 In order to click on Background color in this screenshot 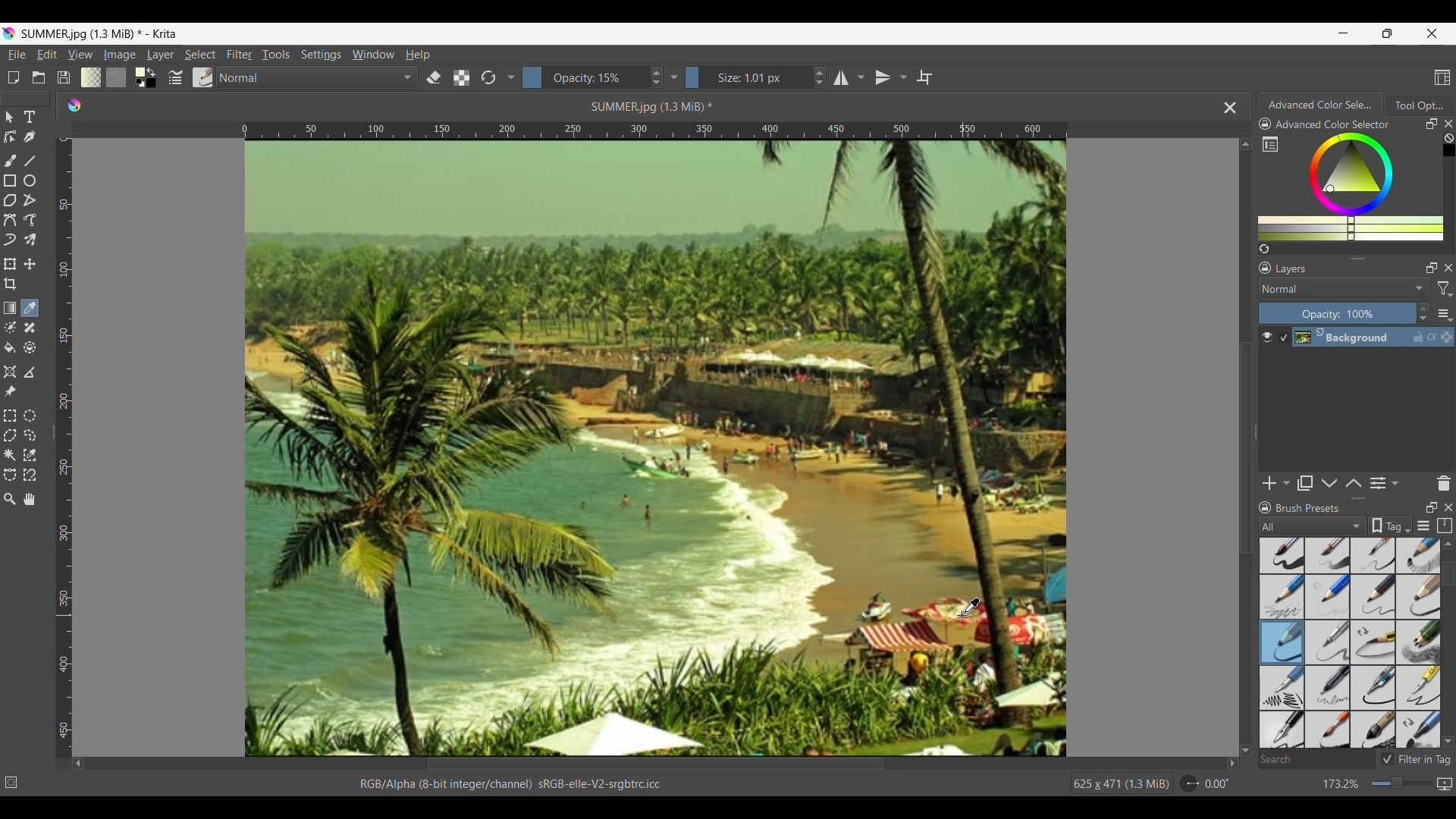, I will do `click(154, 84)`.